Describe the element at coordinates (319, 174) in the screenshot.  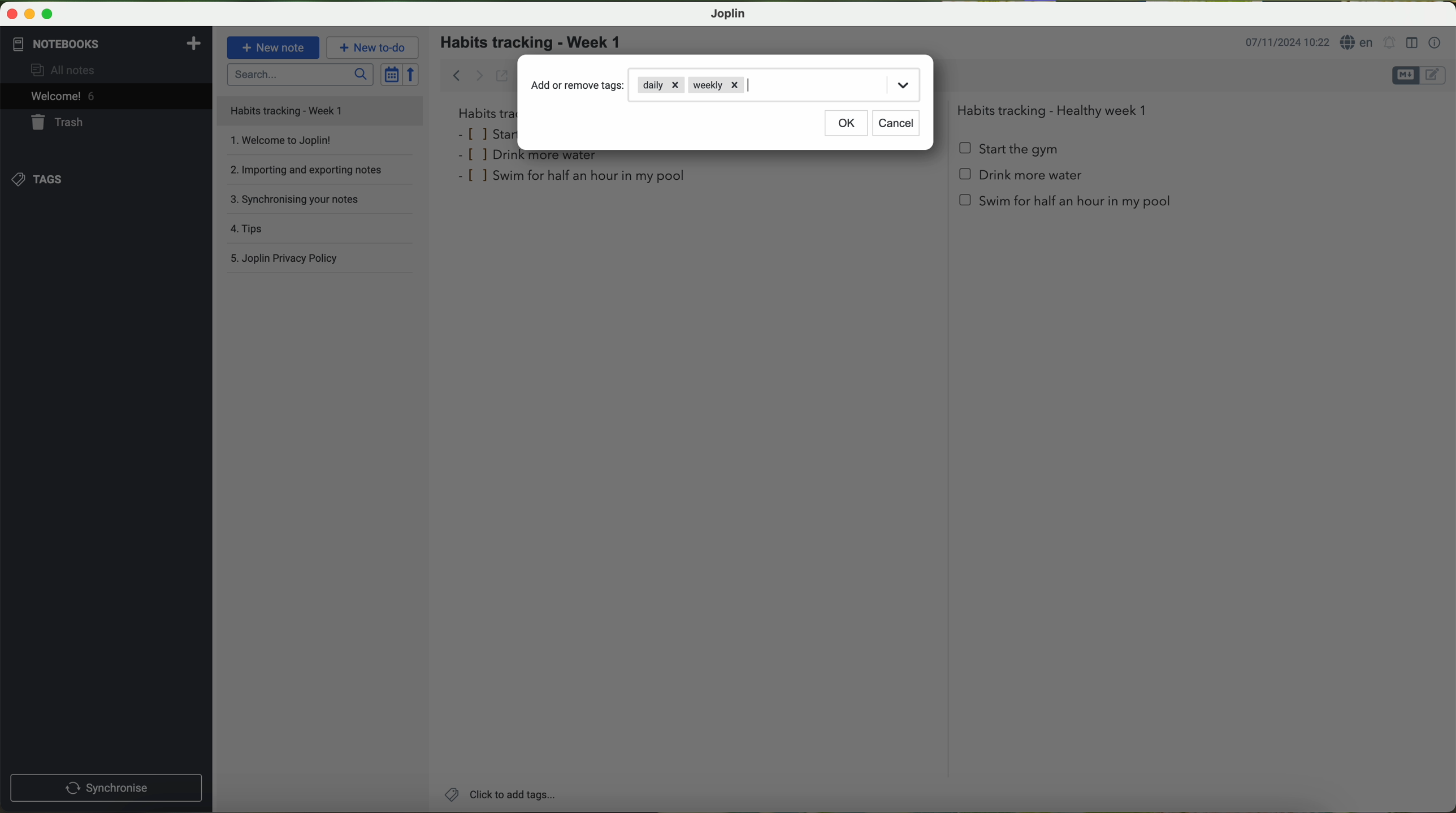
I see `importing and exporting notes` at that location.